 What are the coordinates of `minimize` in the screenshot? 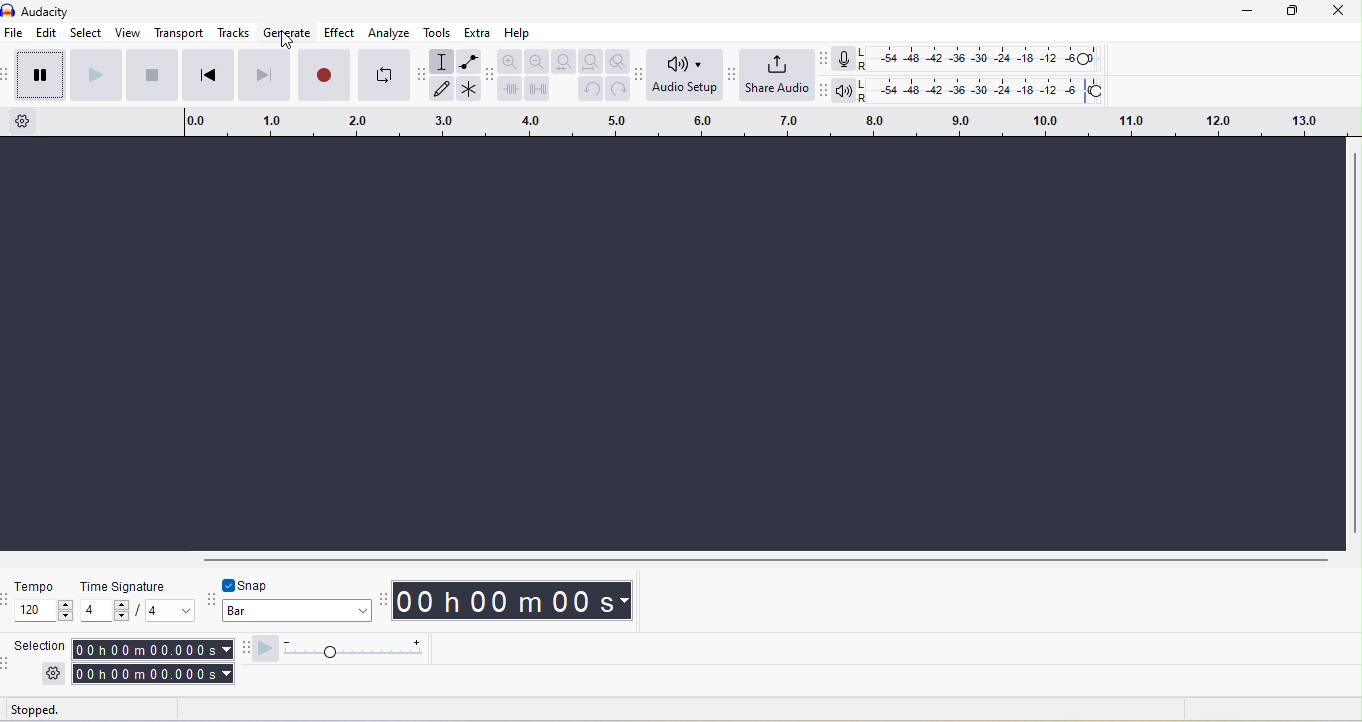 It's located at (1250, 11).